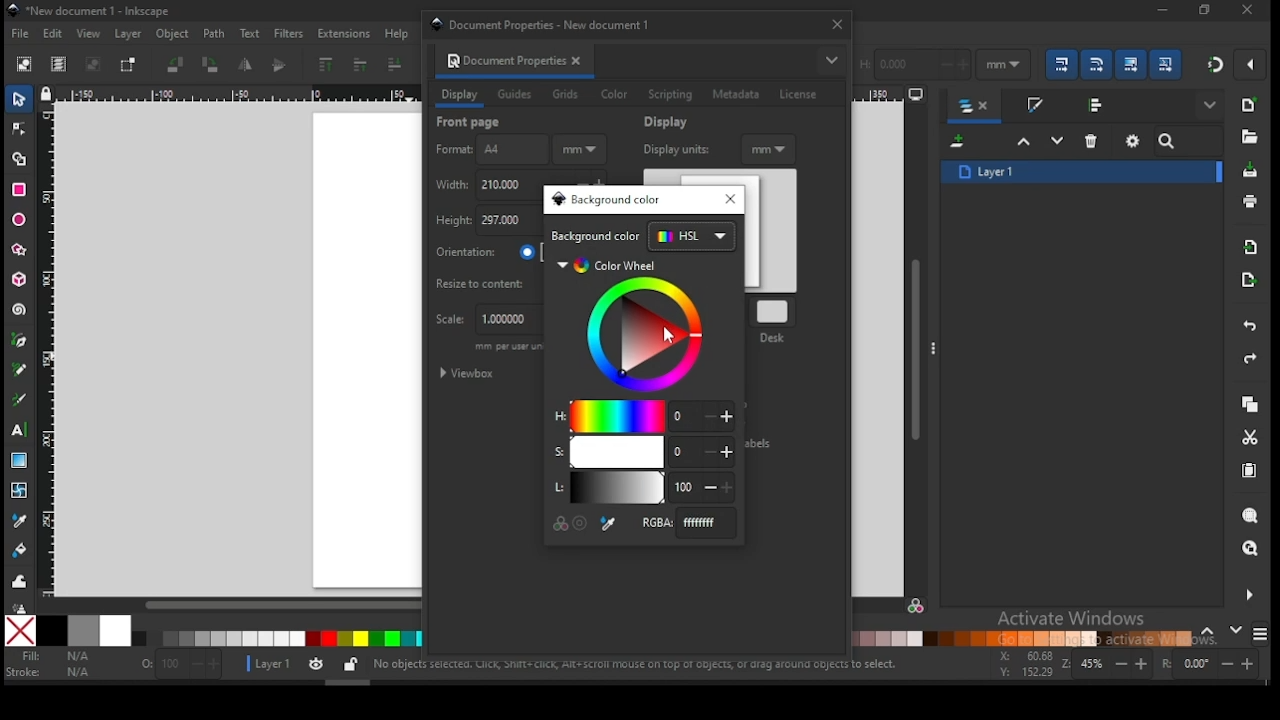 This screenshot has height=720, width=1280. Describe the element at coordinates (236, 96) in the screenshot. I see `horizontal ruler` at that location.